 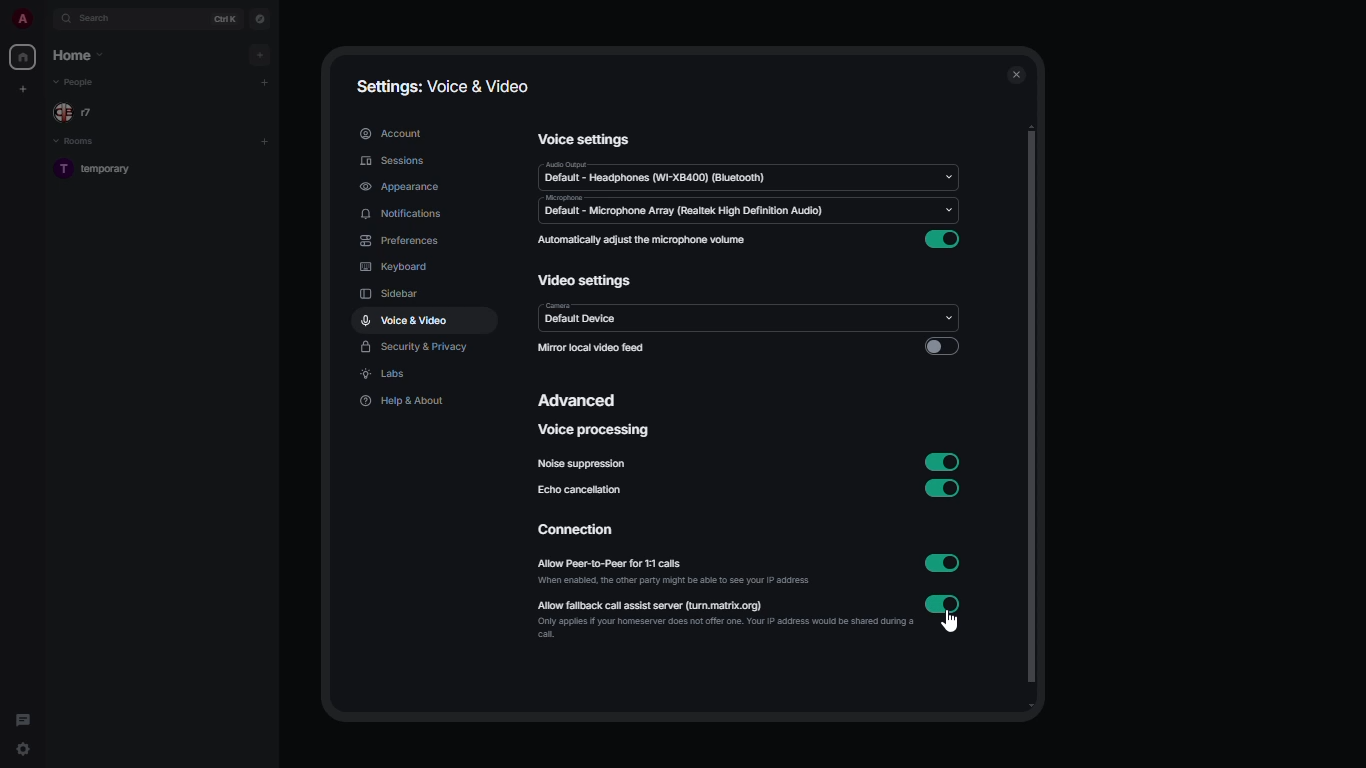 What do you see at coordinates (392, 264) in the screenshot?
I see `keyboard` at bounding box center [392, 264].